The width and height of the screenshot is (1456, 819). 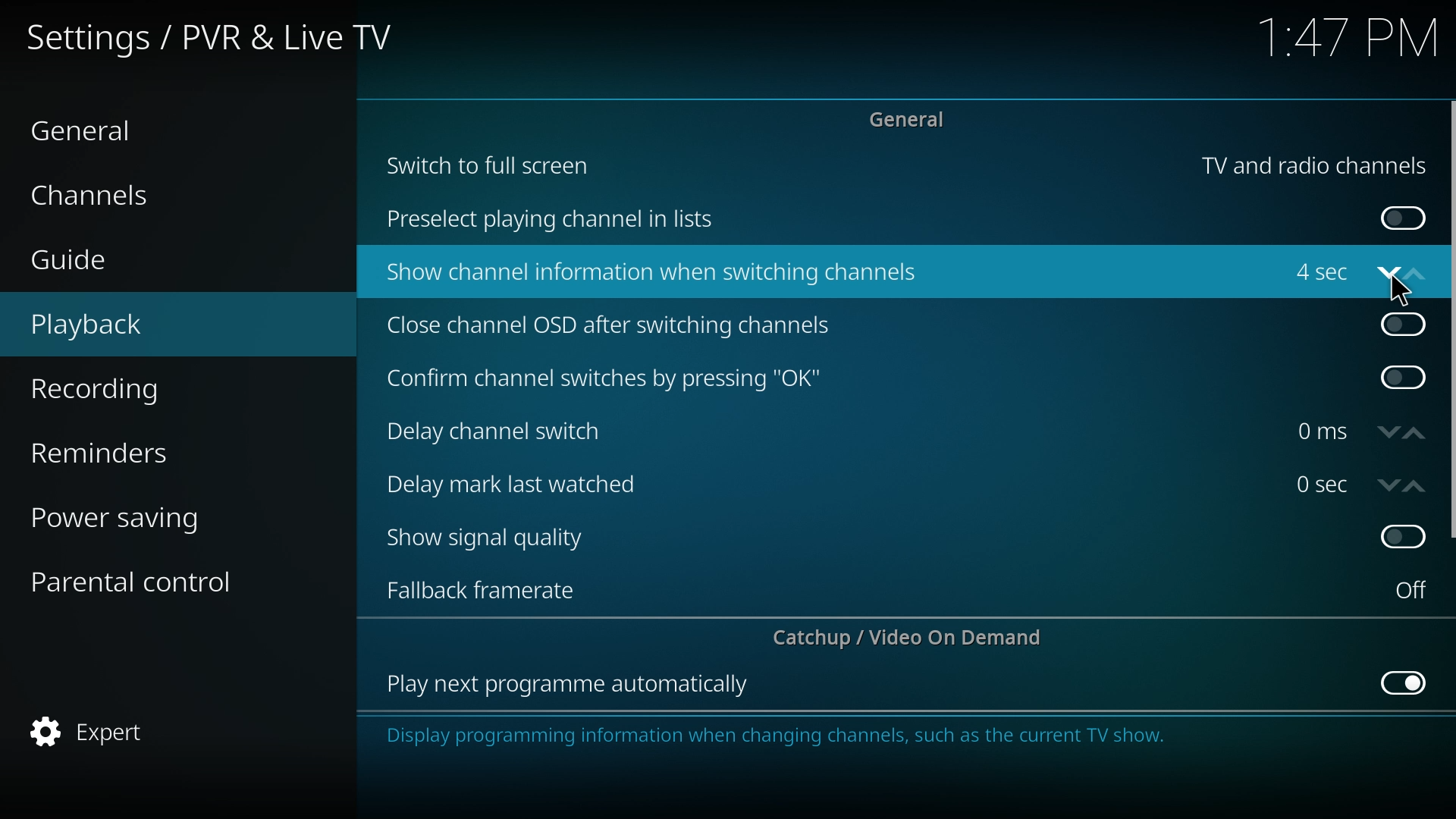 I want to click on power saving, so click(x=140, y=516).